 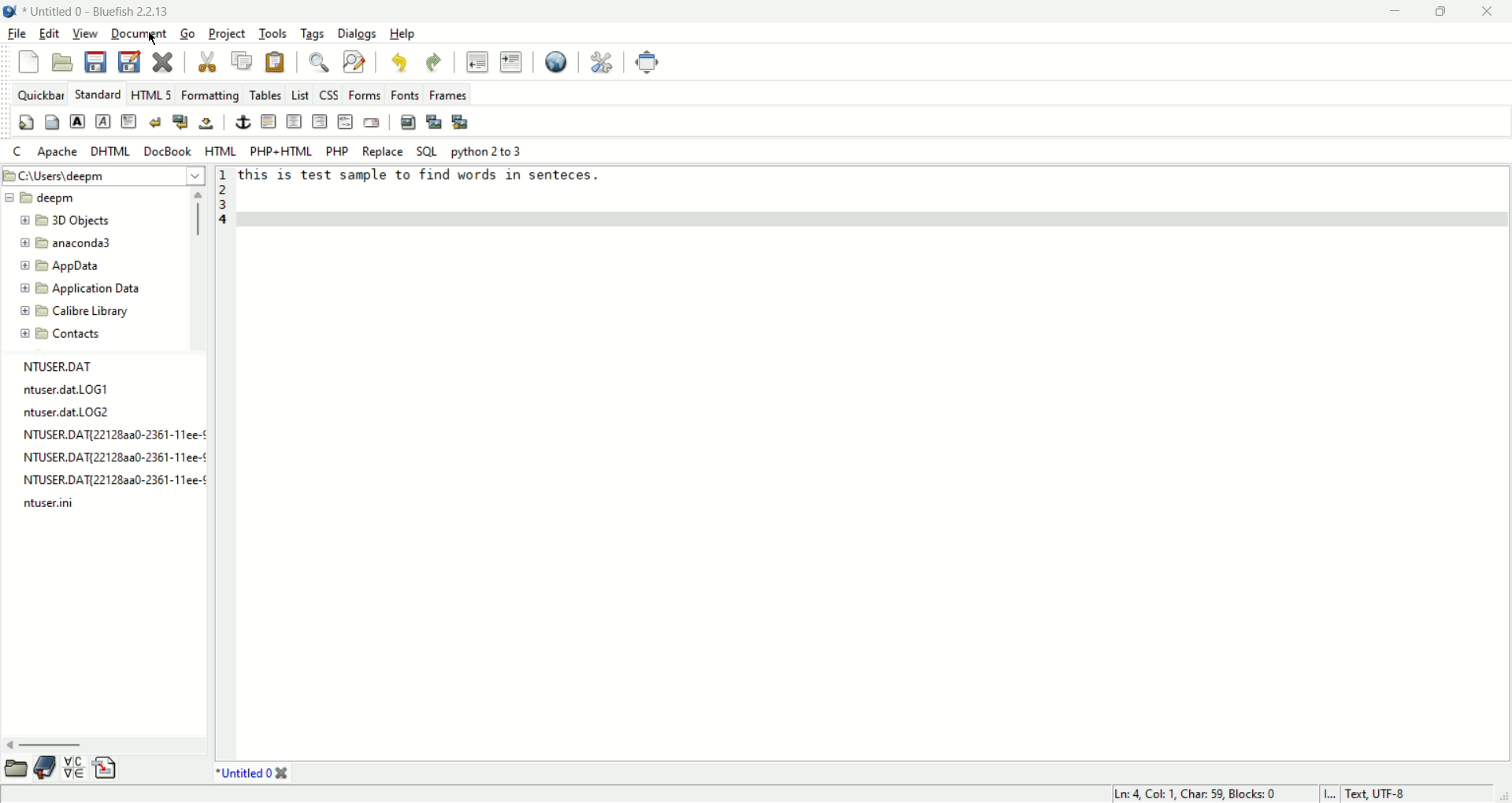 I want to click on close, so click(x=1488, y=12).